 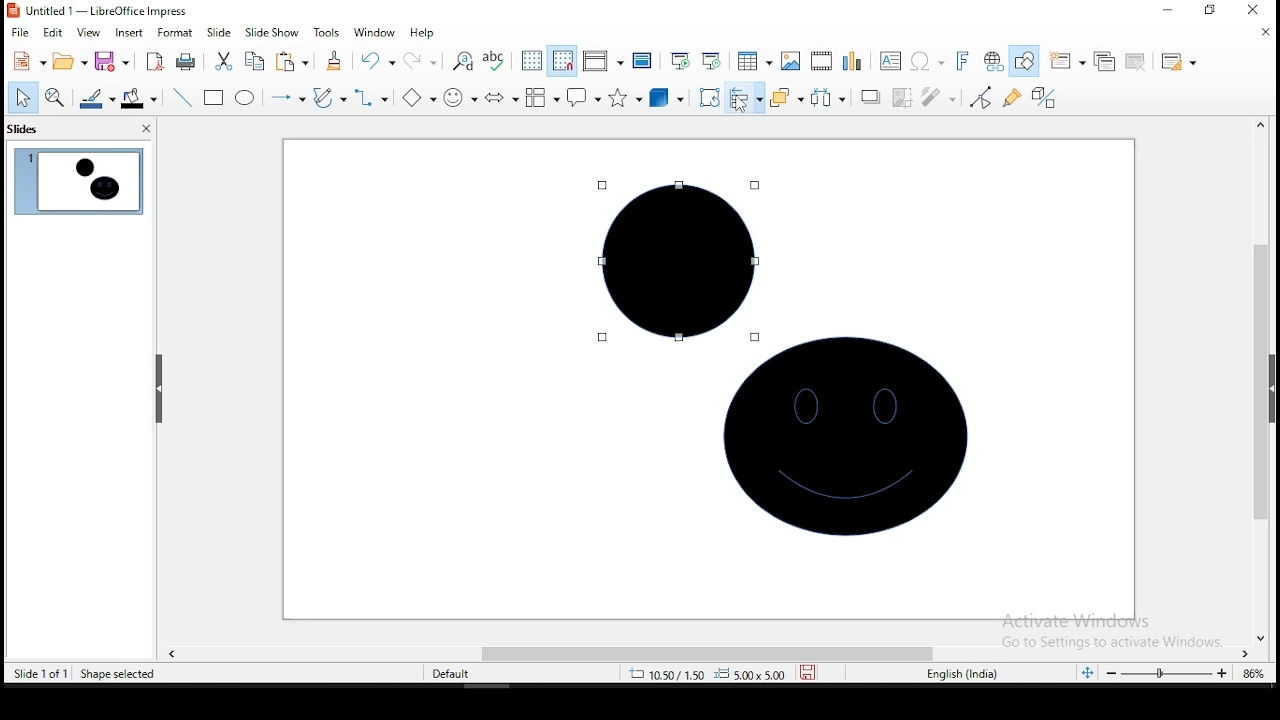 I want to click on slides, so click(x=24, y=131).